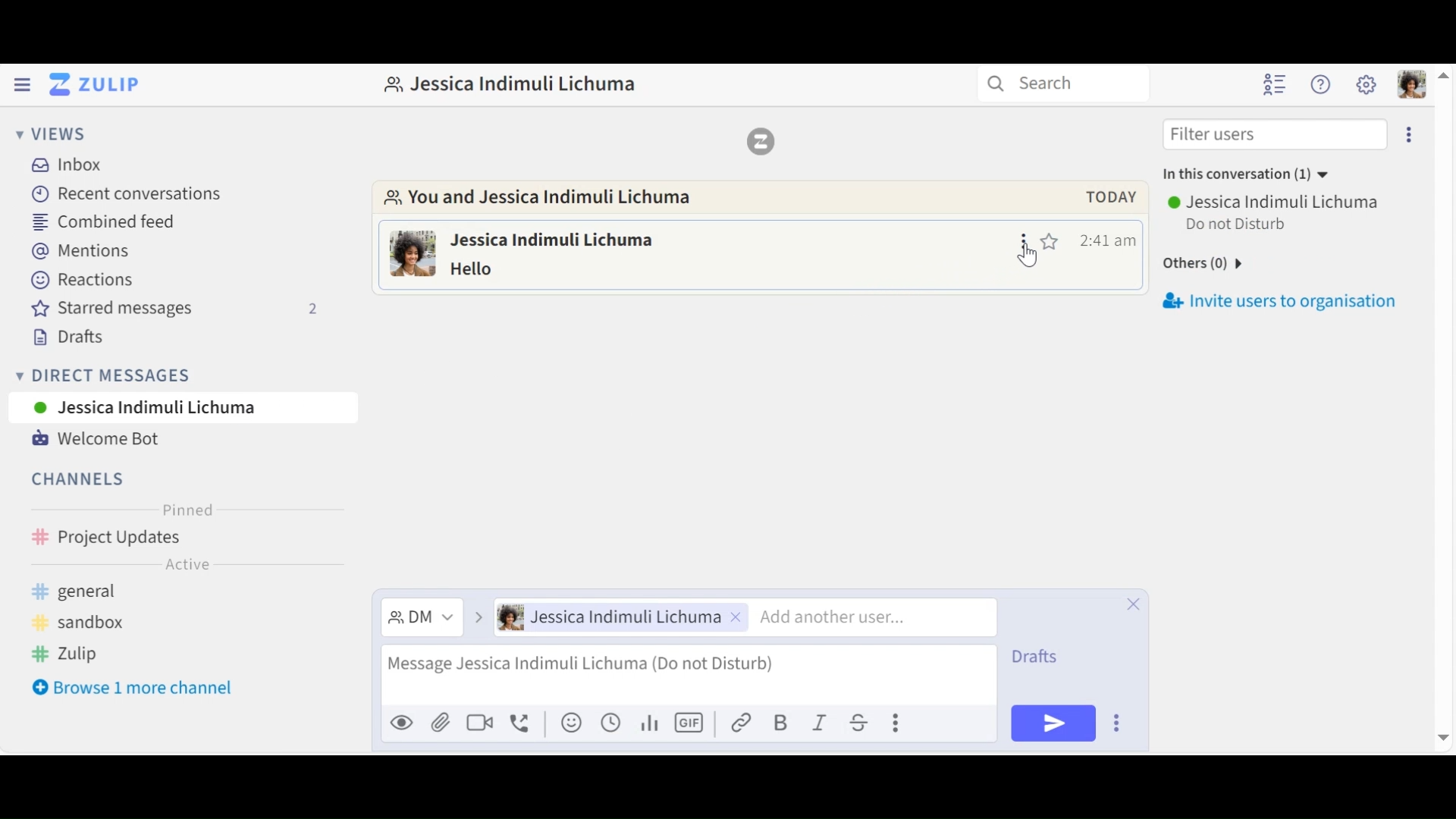  Describe the element at coordinates (1048, 657) in the screenshot. I see `Drafts` at that location.